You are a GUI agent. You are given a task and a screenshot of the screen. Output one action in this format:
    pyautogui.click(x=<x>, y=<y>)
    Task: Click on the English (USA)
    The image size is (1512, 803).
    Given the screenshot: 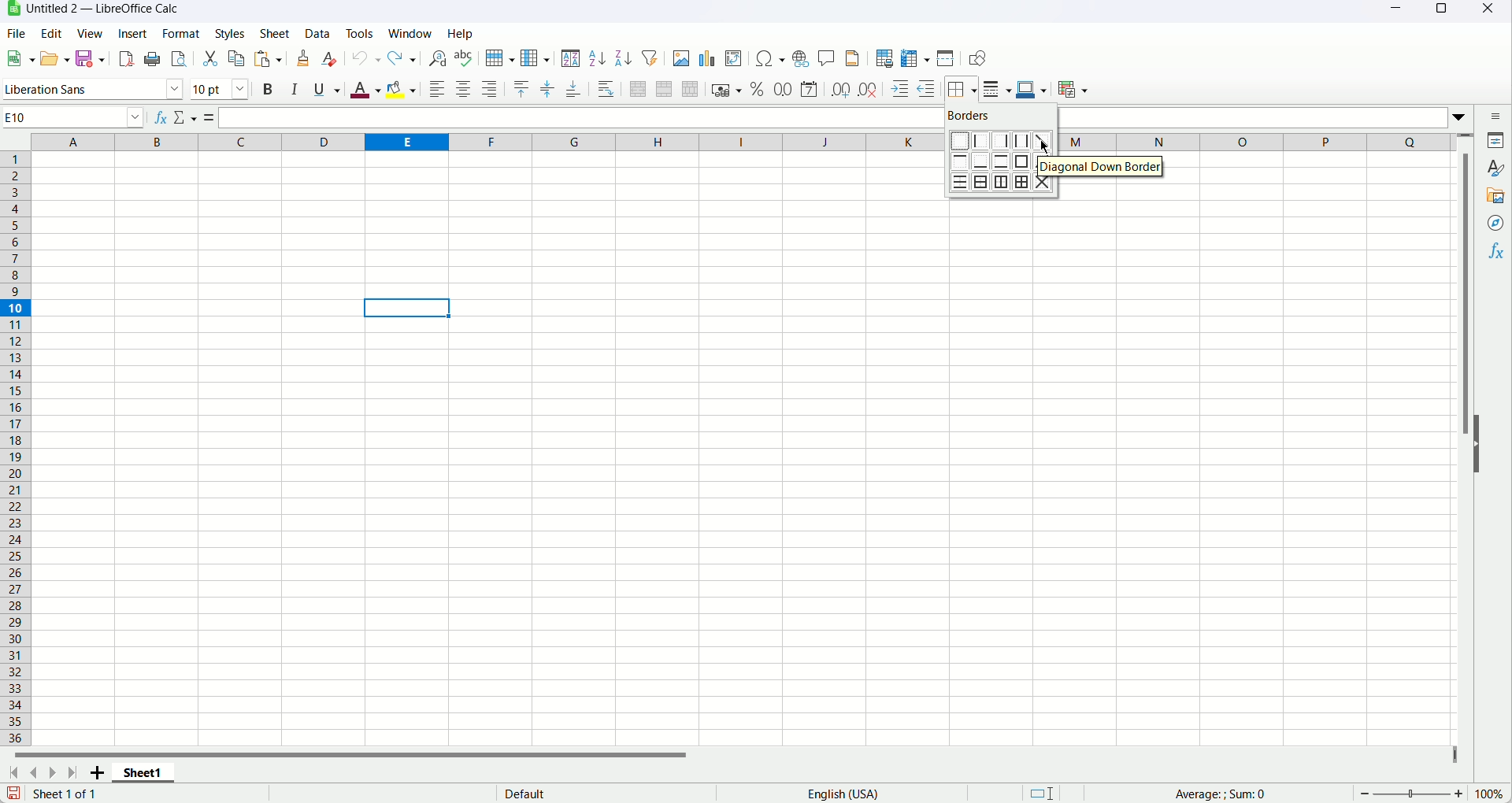 What is the action you would take?
    pyautogui.click(x=851, y=794)
    